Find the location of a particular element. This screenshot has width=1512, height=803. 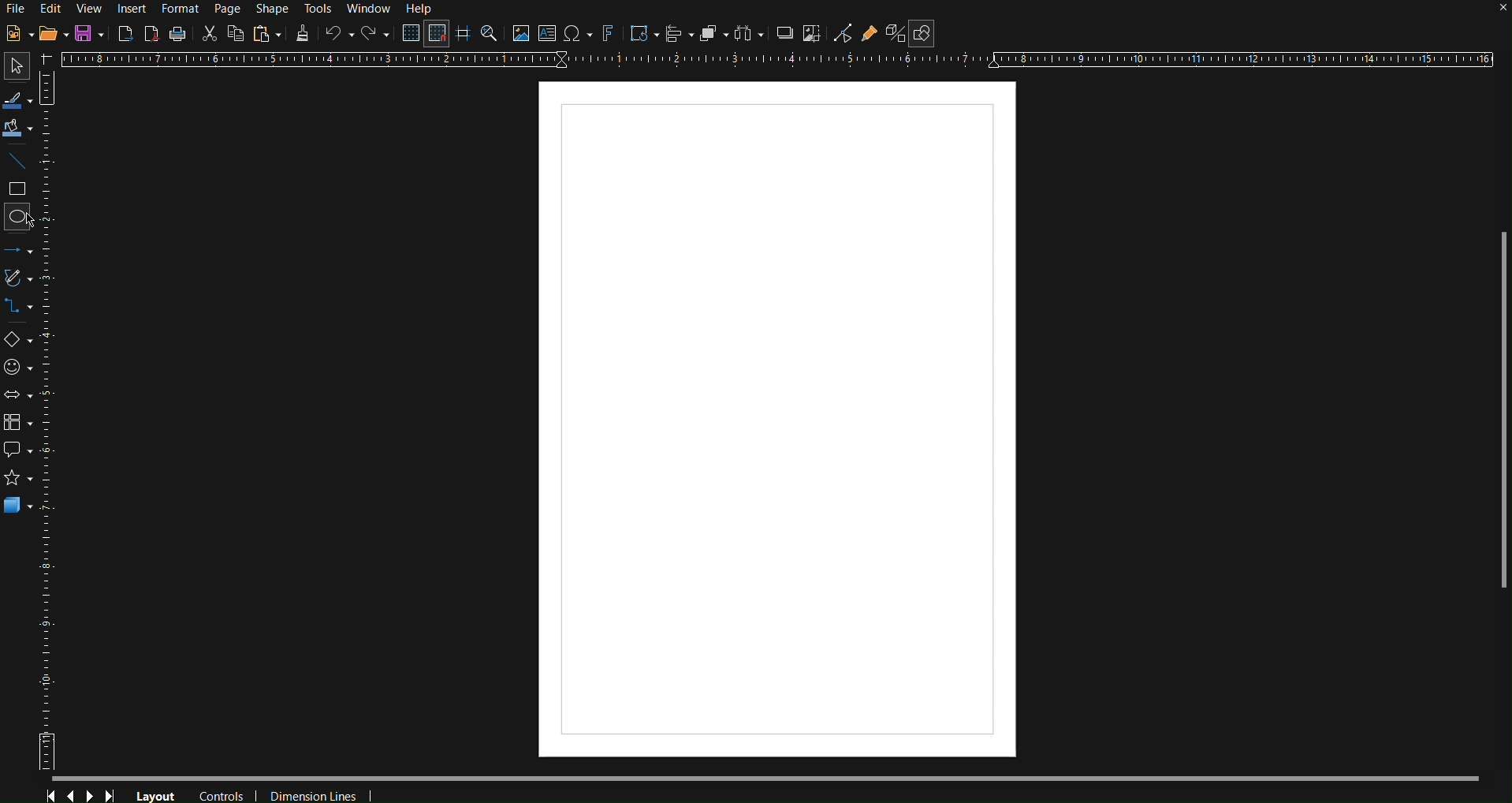

Rectangle is located at coordinates (20, 190).